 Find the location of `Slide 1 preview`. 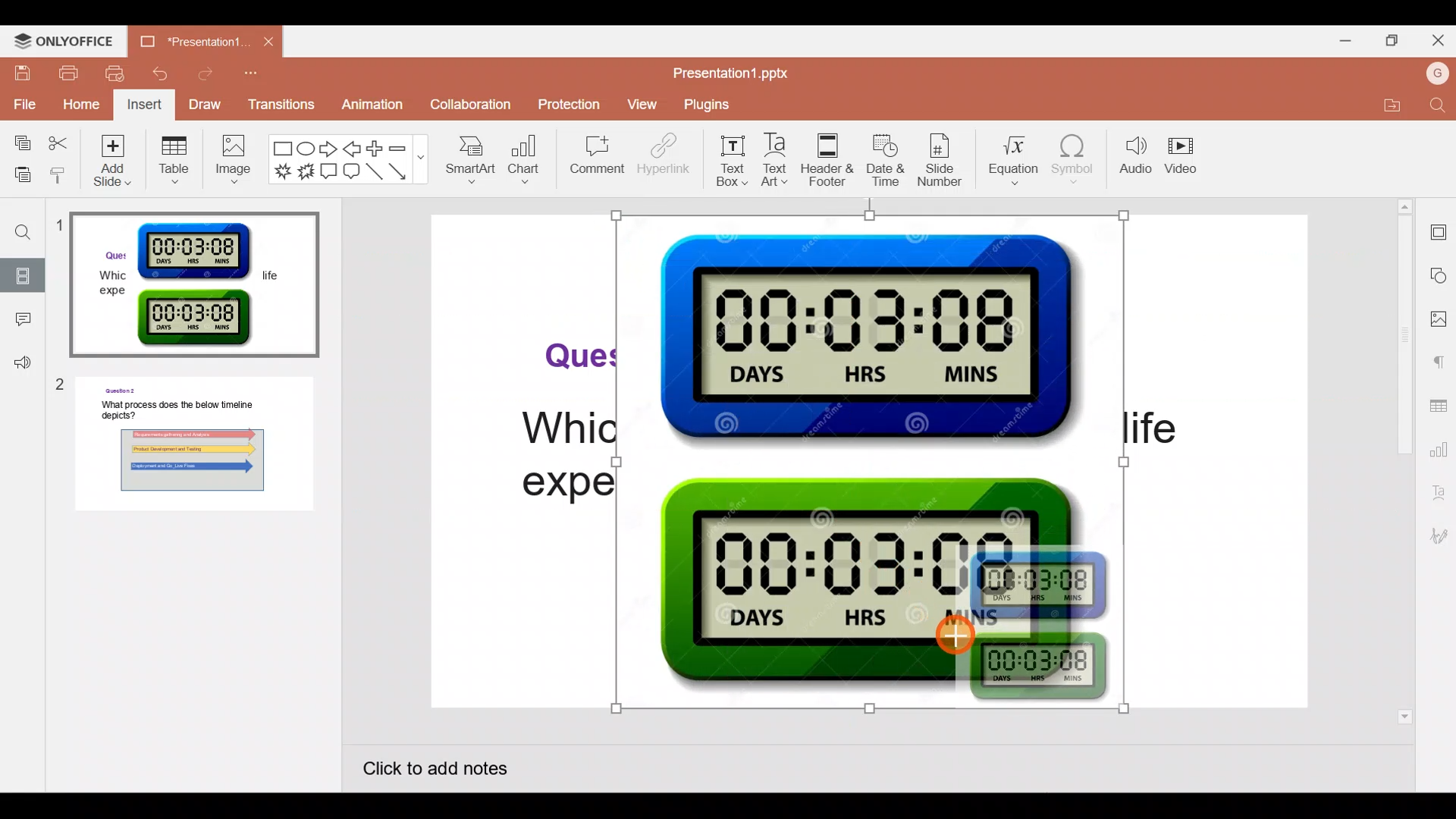

Slide 1 preview is located at coordinates (191, 281).